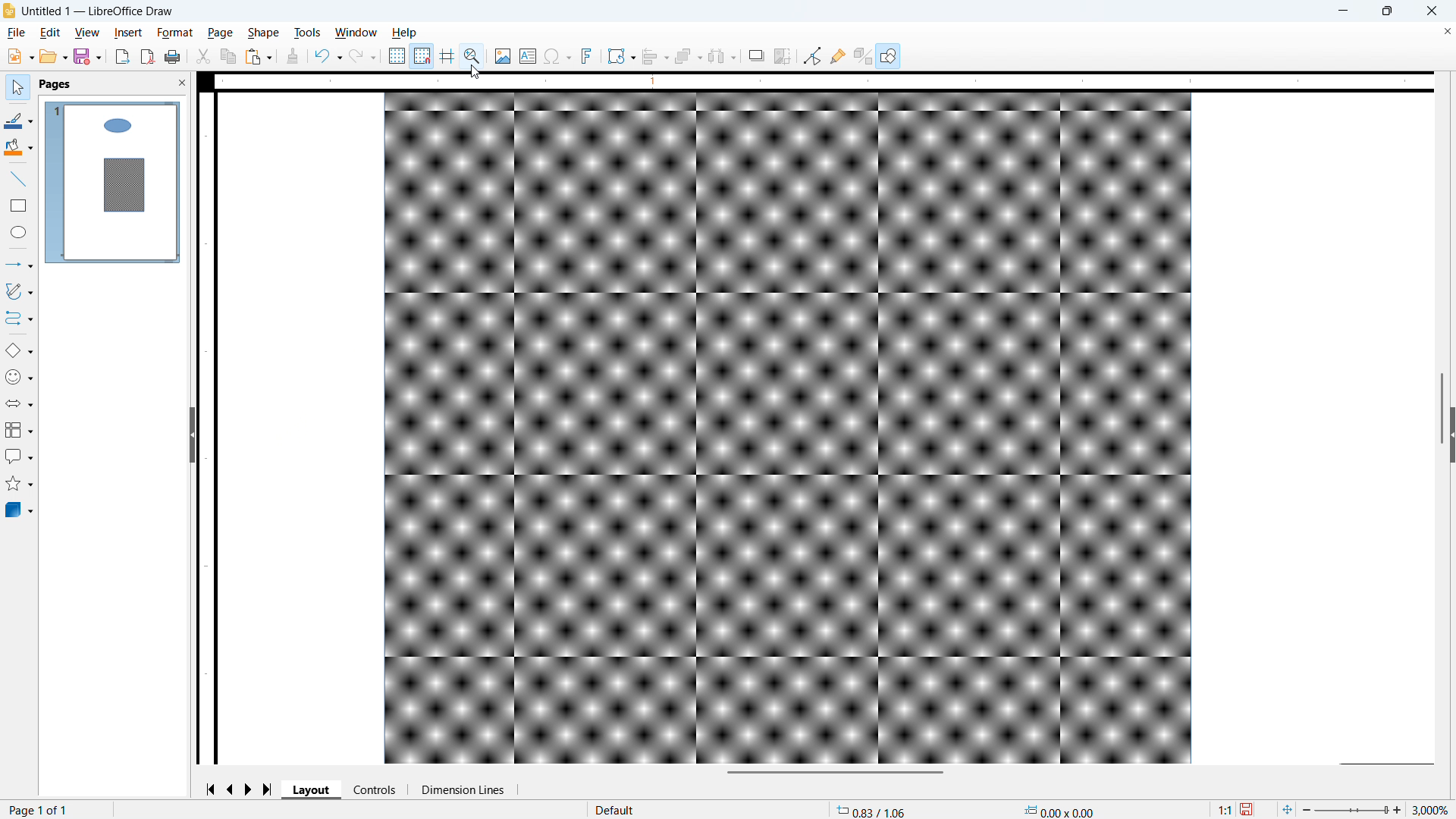 Image resolution: width=1456 pixels, height=819 pixels. What do you see at coordinates (783, 55) in the screenshot?
I see `Crop image ` at bounding box center [783, 55].